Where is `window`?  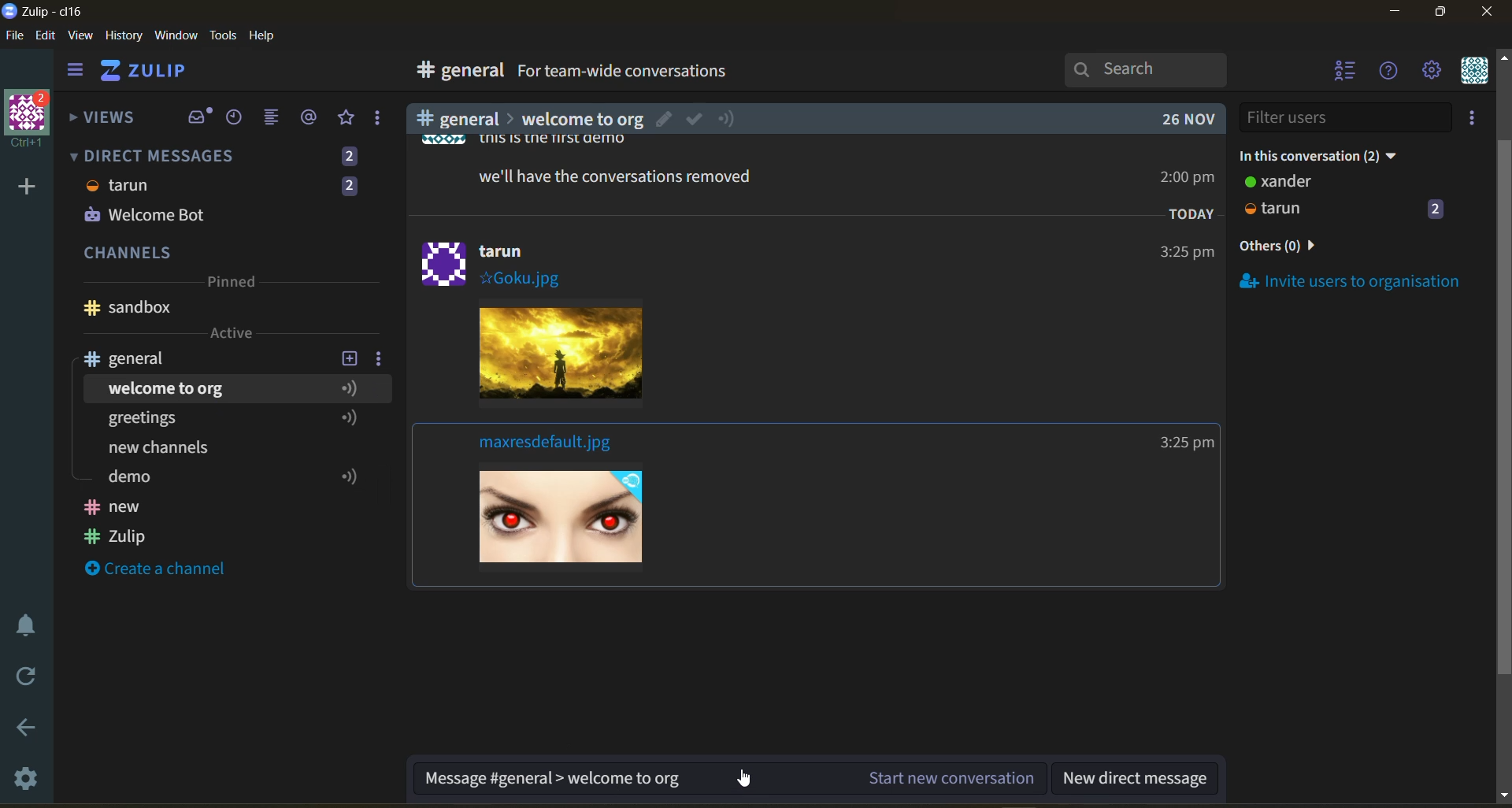
window is located at coordinates (174, 36).